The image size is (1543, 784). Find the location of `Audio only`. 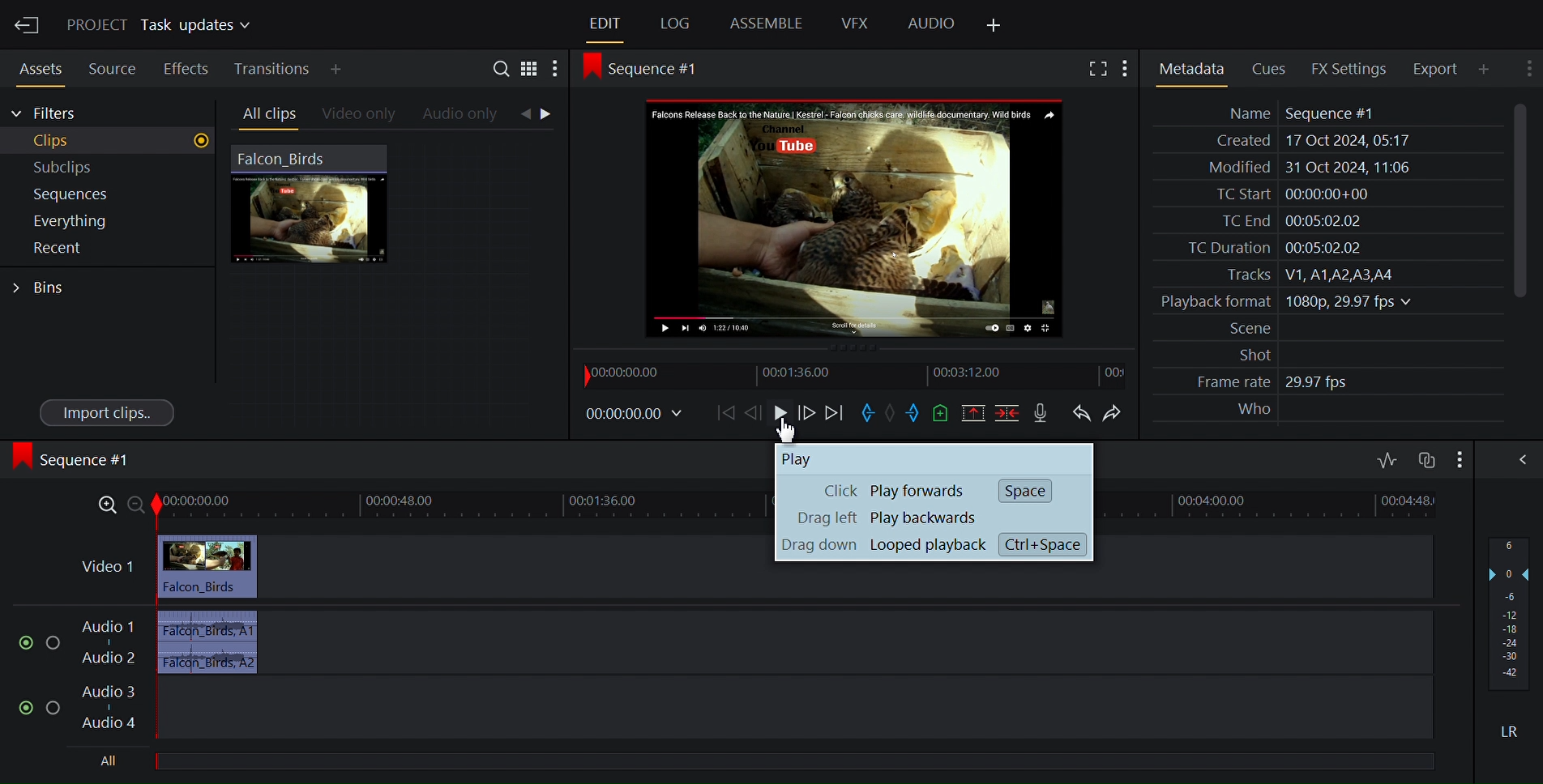

Audio only is located at coordinates (464, 115).